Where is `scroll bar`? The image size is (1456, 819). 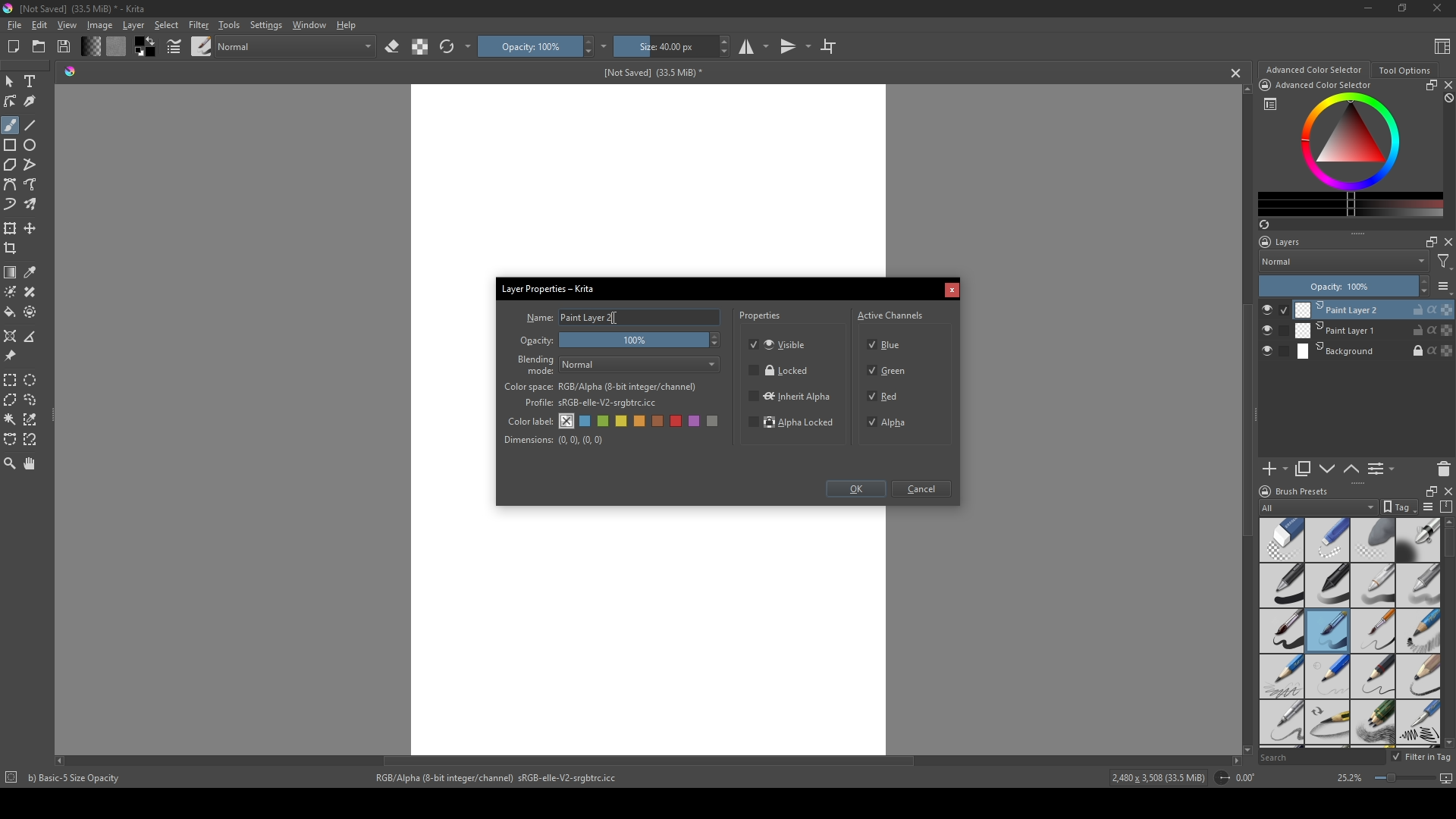
scroll bar is located at coordinates (1447, 544).